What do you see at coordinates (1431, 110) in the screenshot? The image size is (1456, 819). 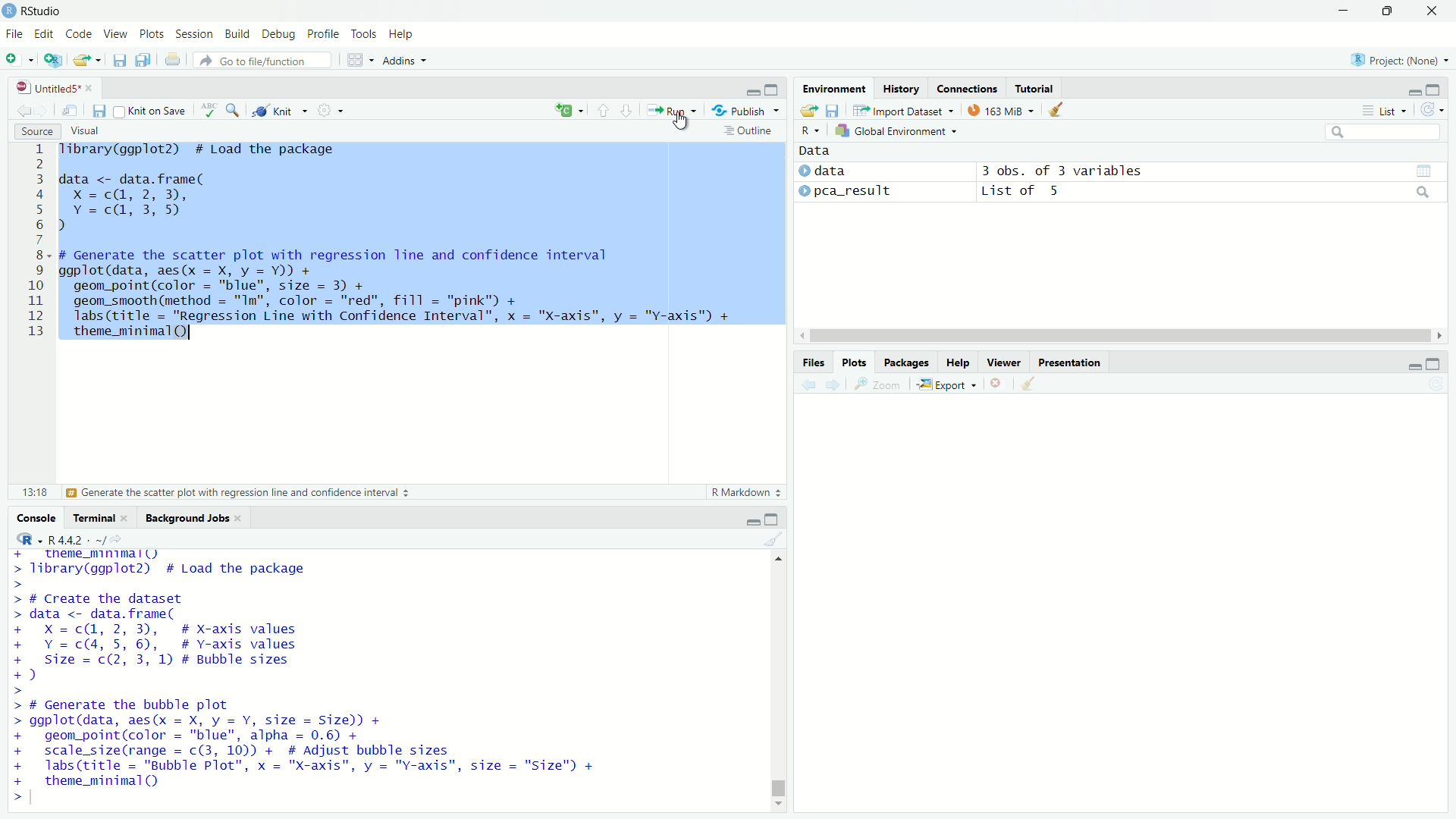 I see `Refresh the list of objects in the environment` at bounding box center [1431, 110].